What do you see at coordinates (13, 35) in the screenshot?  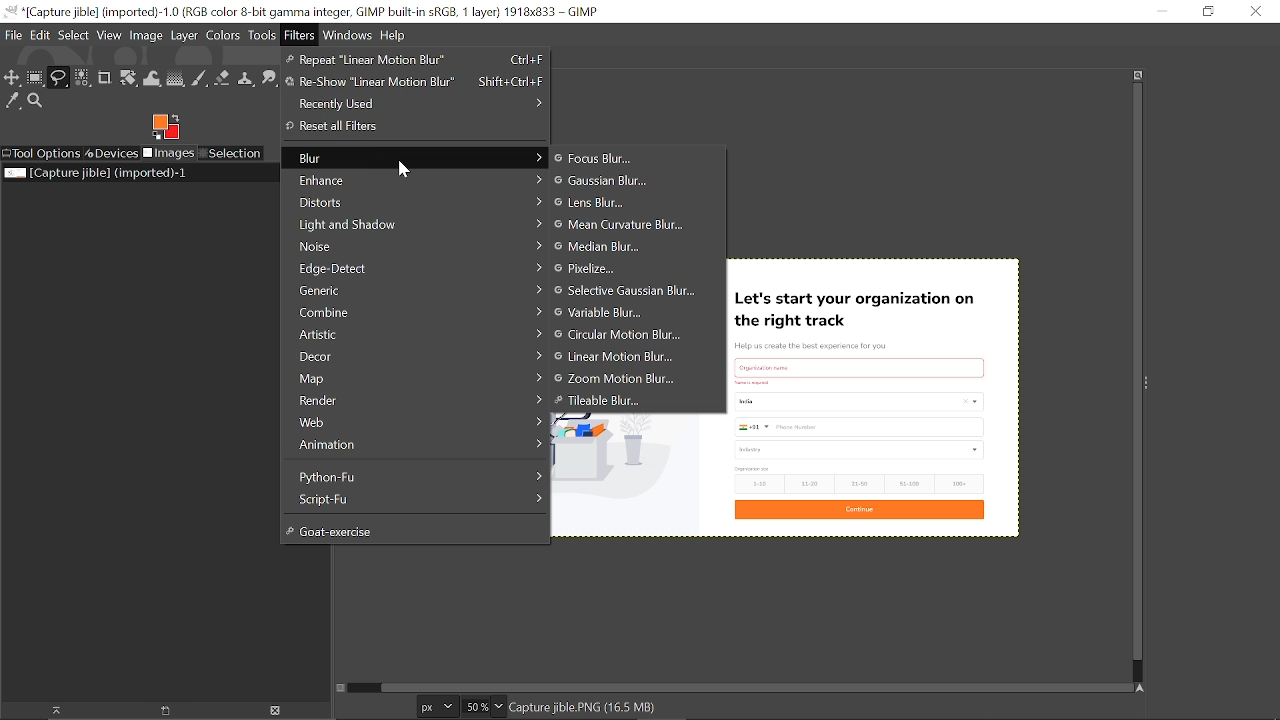 I see `File` at bounding box center [13, 35].